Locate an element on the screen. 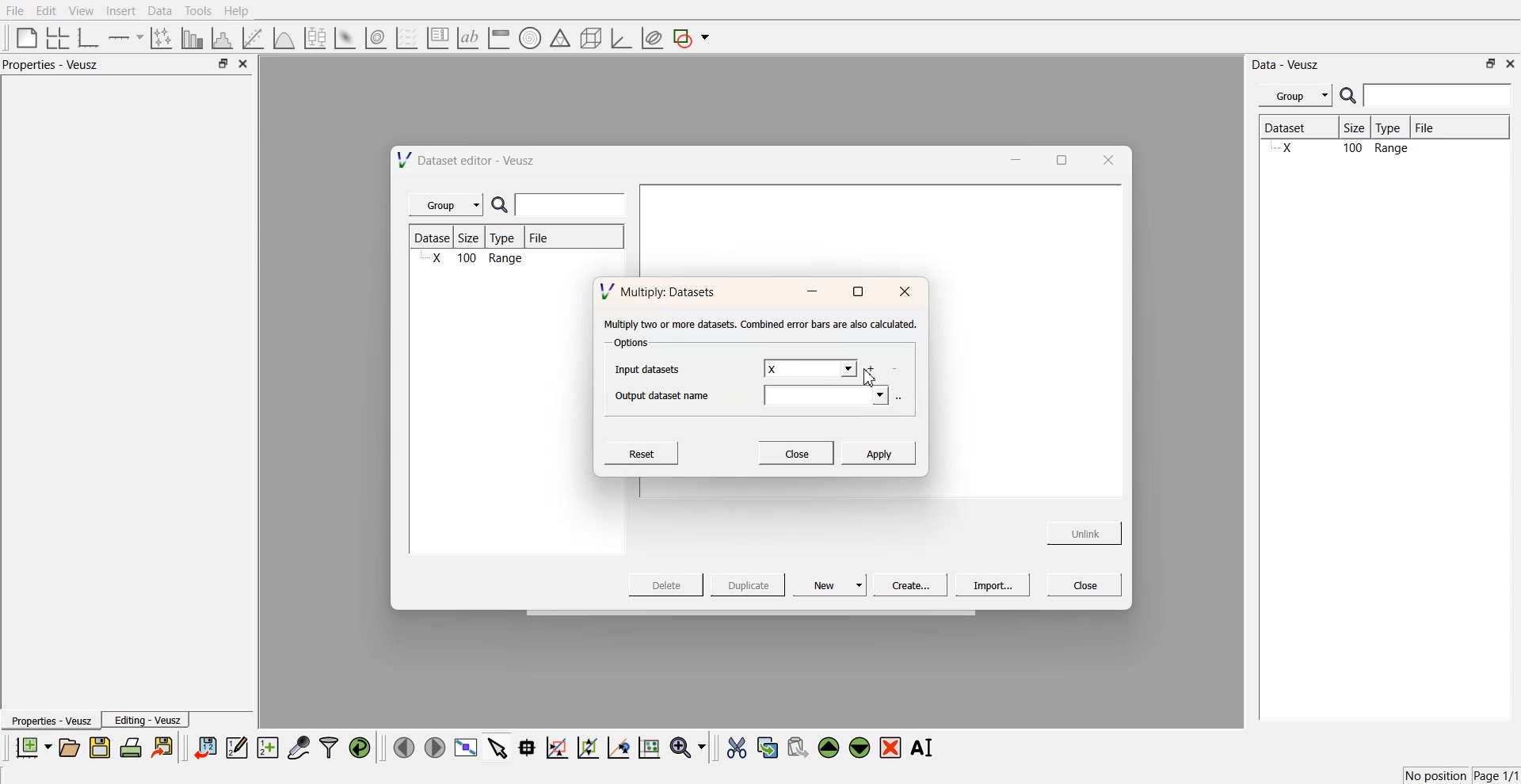 The width and height of the screenshot is (1521, 784). Duplicate is located at coordinates (748, 586).